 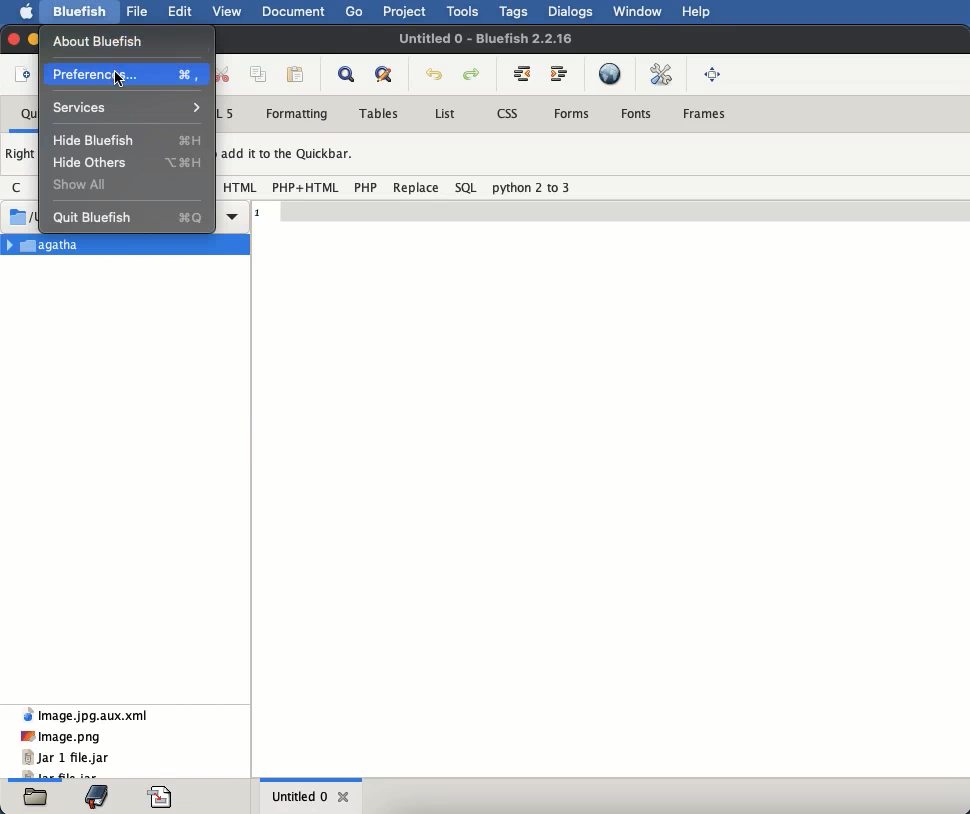 I want to click on services, so click(x=128, y=108).